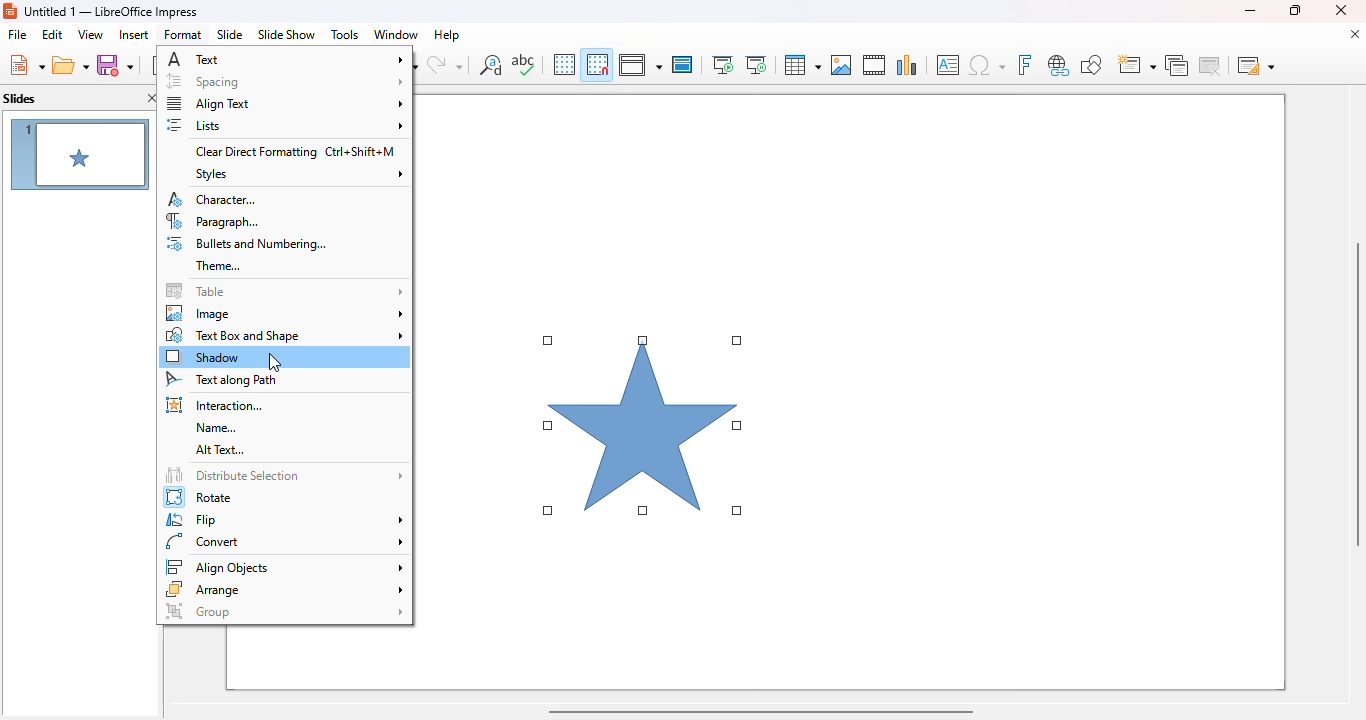 The height and width of the screenshot is (720, 1366). What do you see at coordinates (948, 65) in the screenshot?
I see `insert text box` at bounding box center [948, 65].